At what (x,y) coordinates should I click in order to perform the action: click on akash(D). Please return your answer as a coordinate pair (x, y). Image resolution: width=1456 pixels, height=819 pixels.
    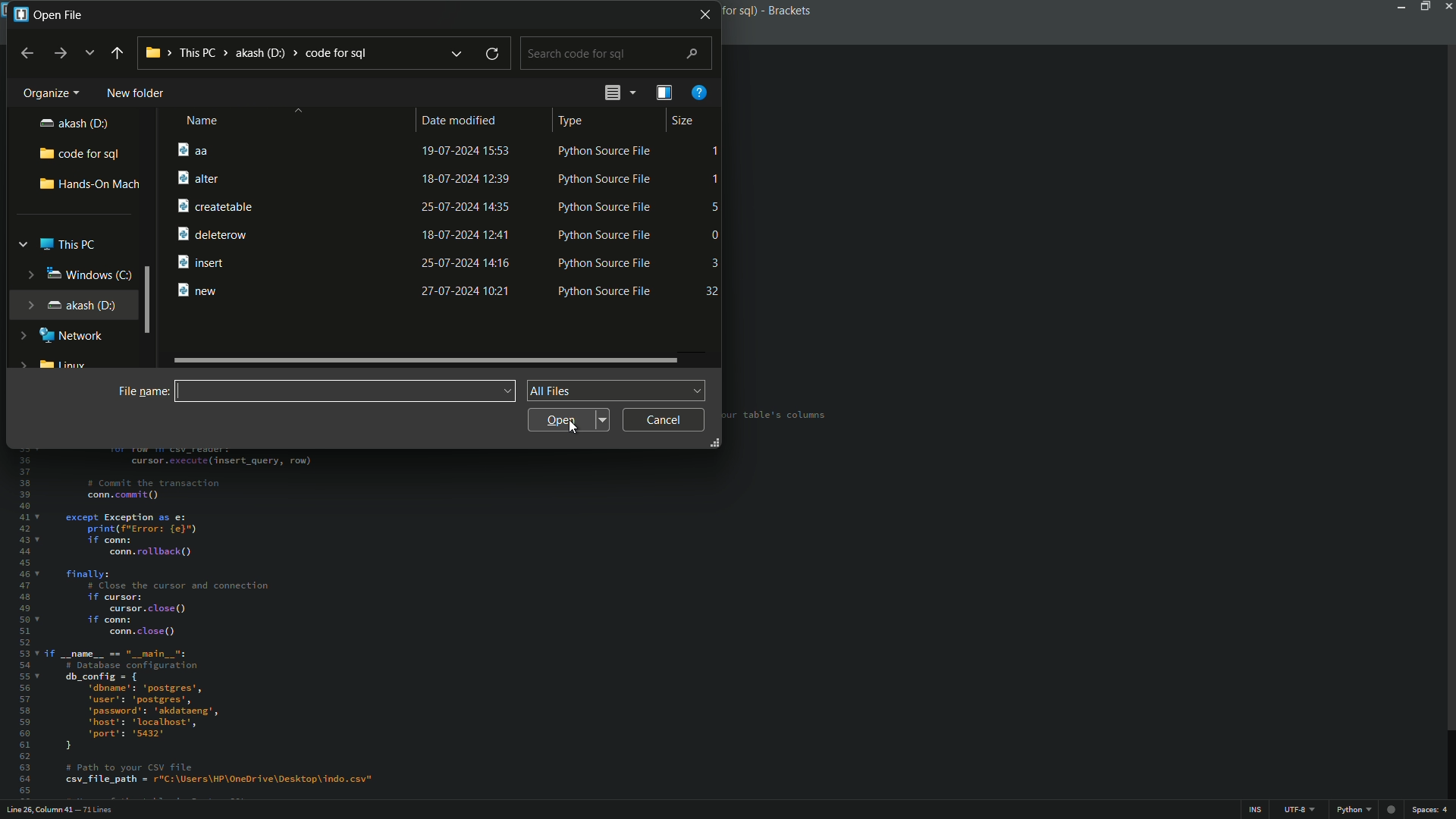
    Looking at the image, I should click on (73, 123).